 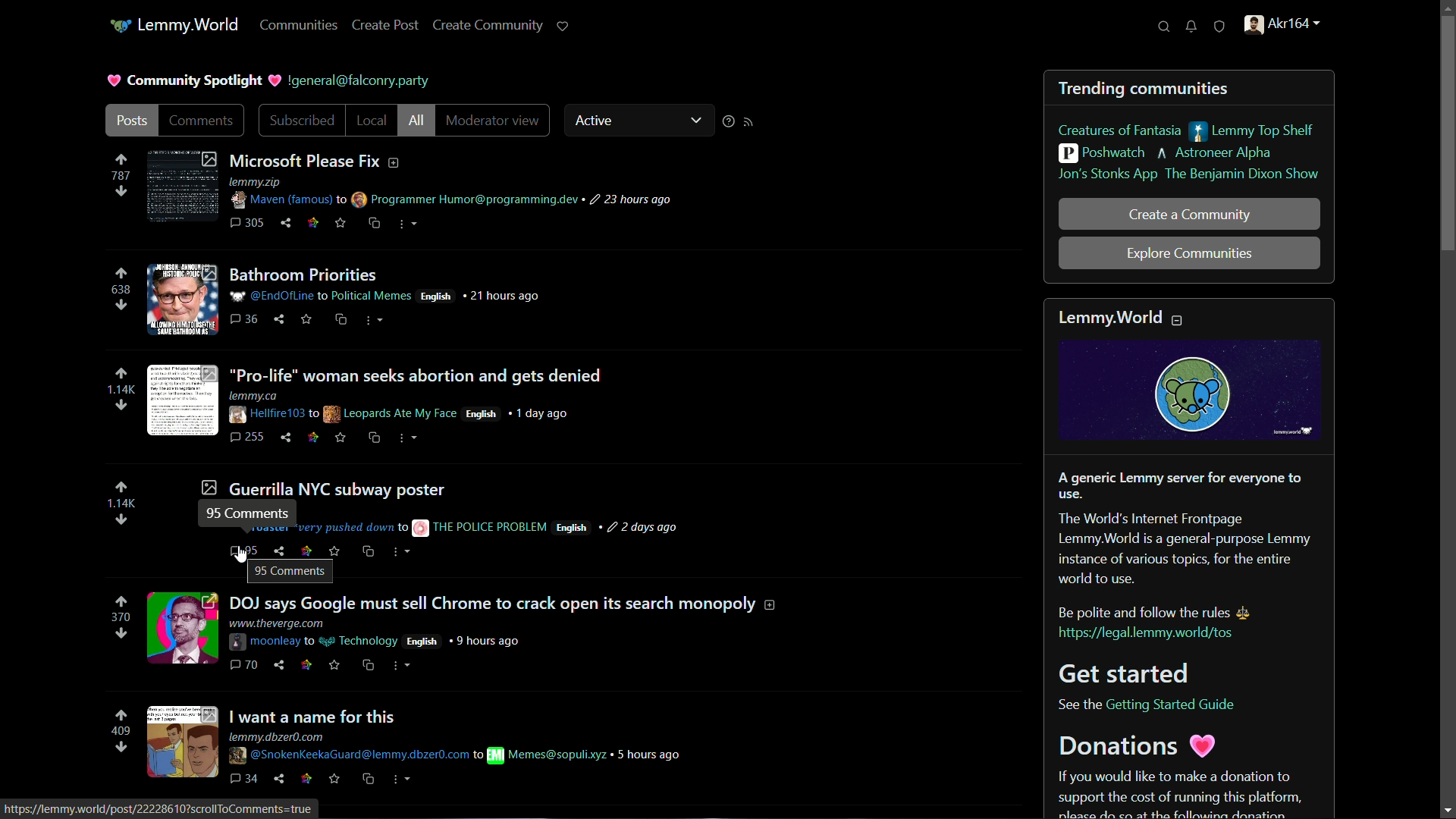 I want to click on number of votes, so click(x=121, y=503).